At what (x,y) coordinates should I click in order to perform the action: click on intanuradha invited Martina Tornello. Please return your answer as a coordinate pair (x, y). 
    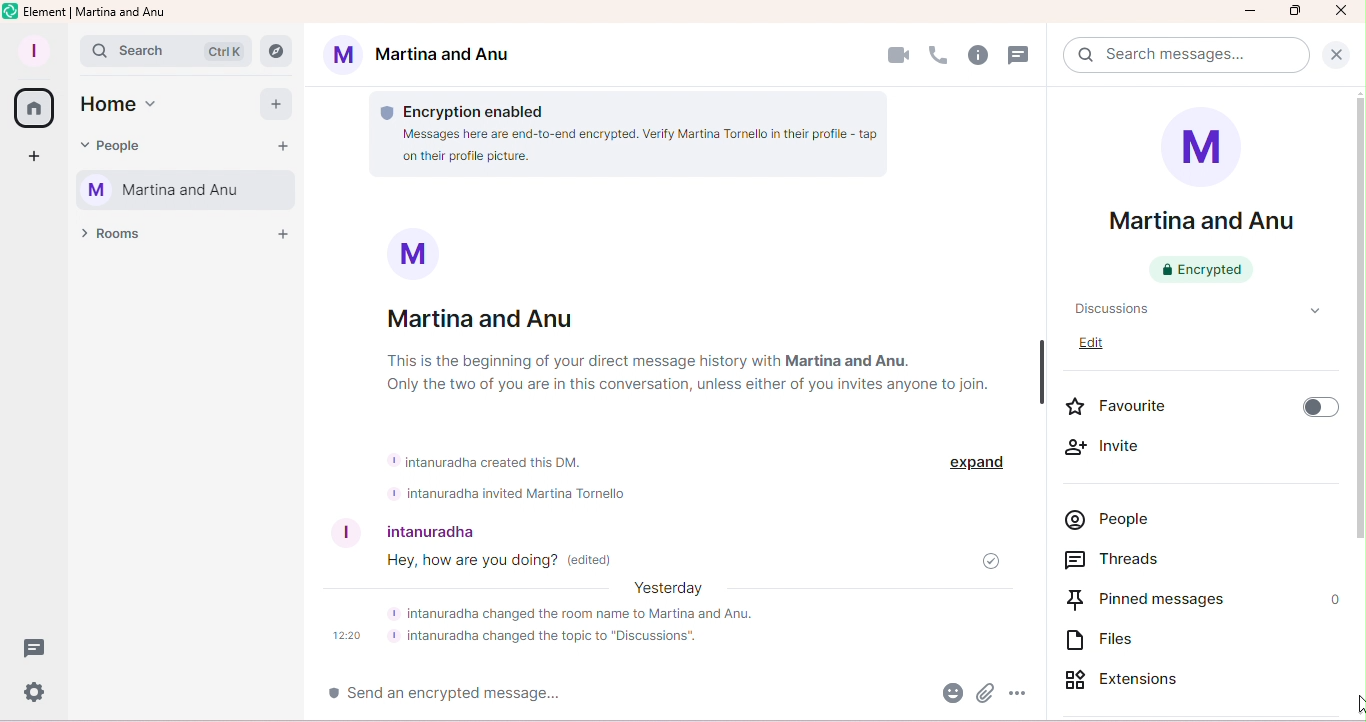
    Looking at the image, I should click on (513, 494).